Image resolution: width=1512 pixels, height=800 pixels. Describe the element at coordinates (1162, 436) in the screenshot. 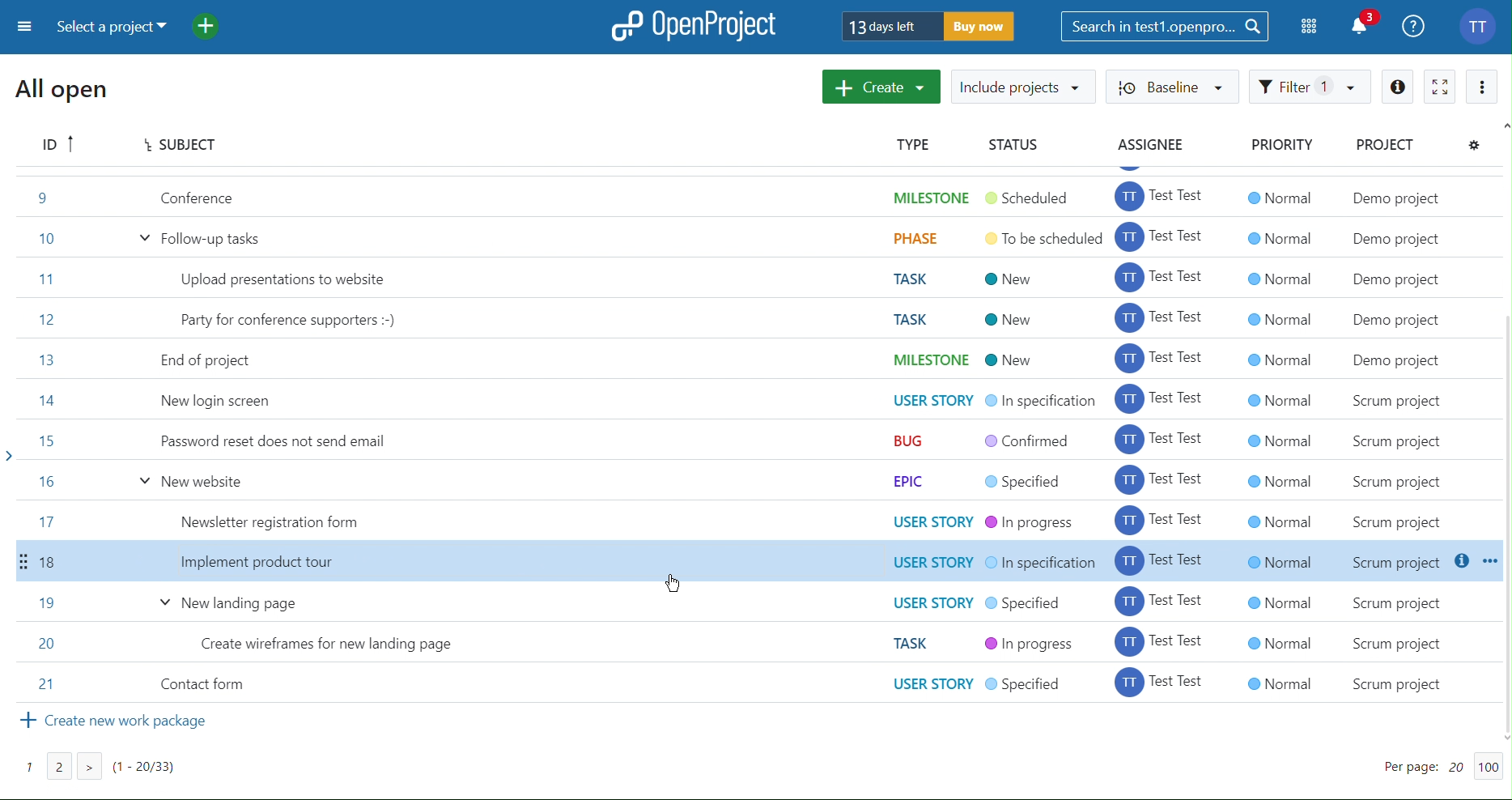

I see `Assignee of Work Packages` at that location.